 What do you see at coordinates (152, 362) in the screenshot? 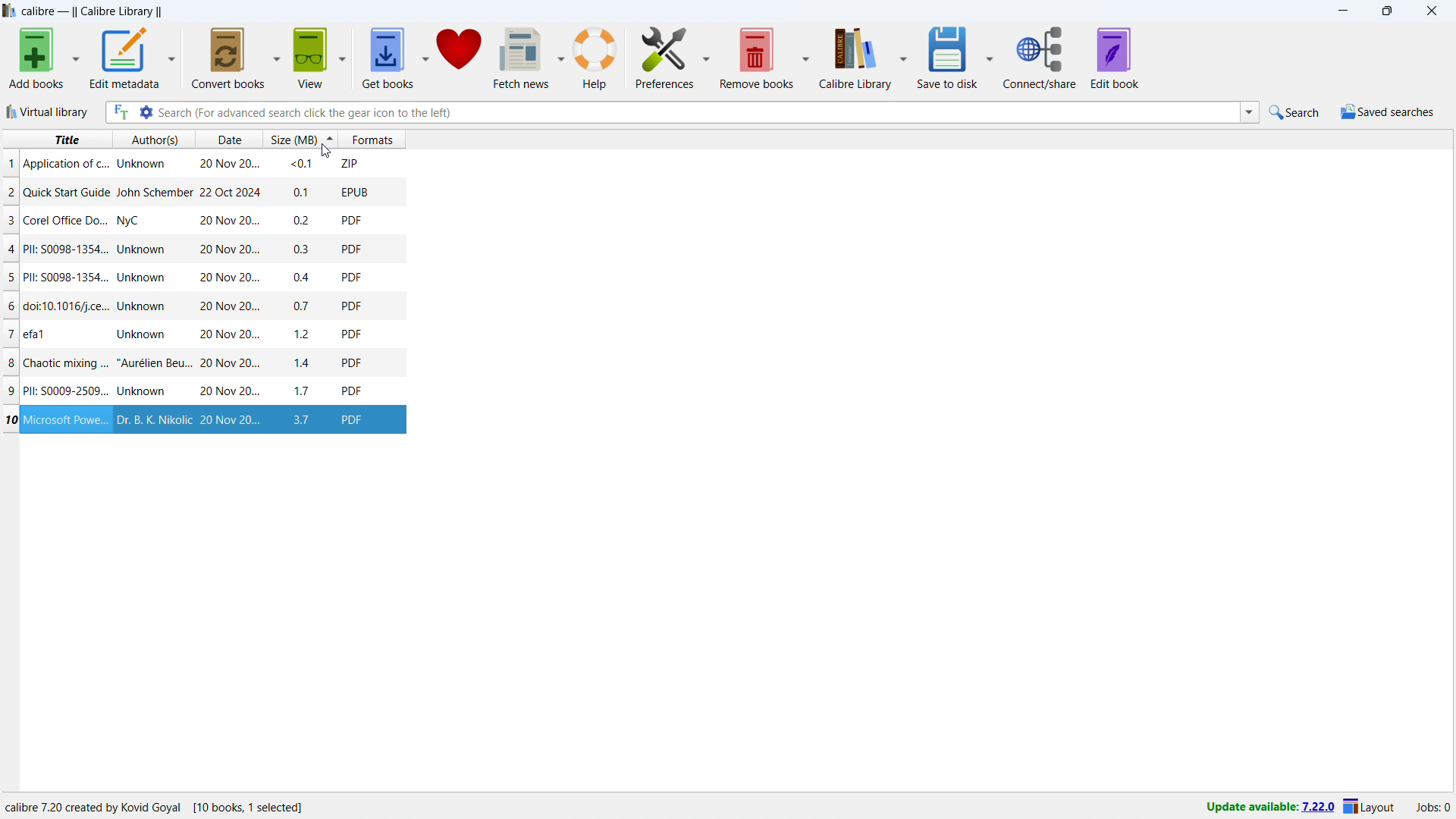
I see `author` at bounding box center [152, 362].